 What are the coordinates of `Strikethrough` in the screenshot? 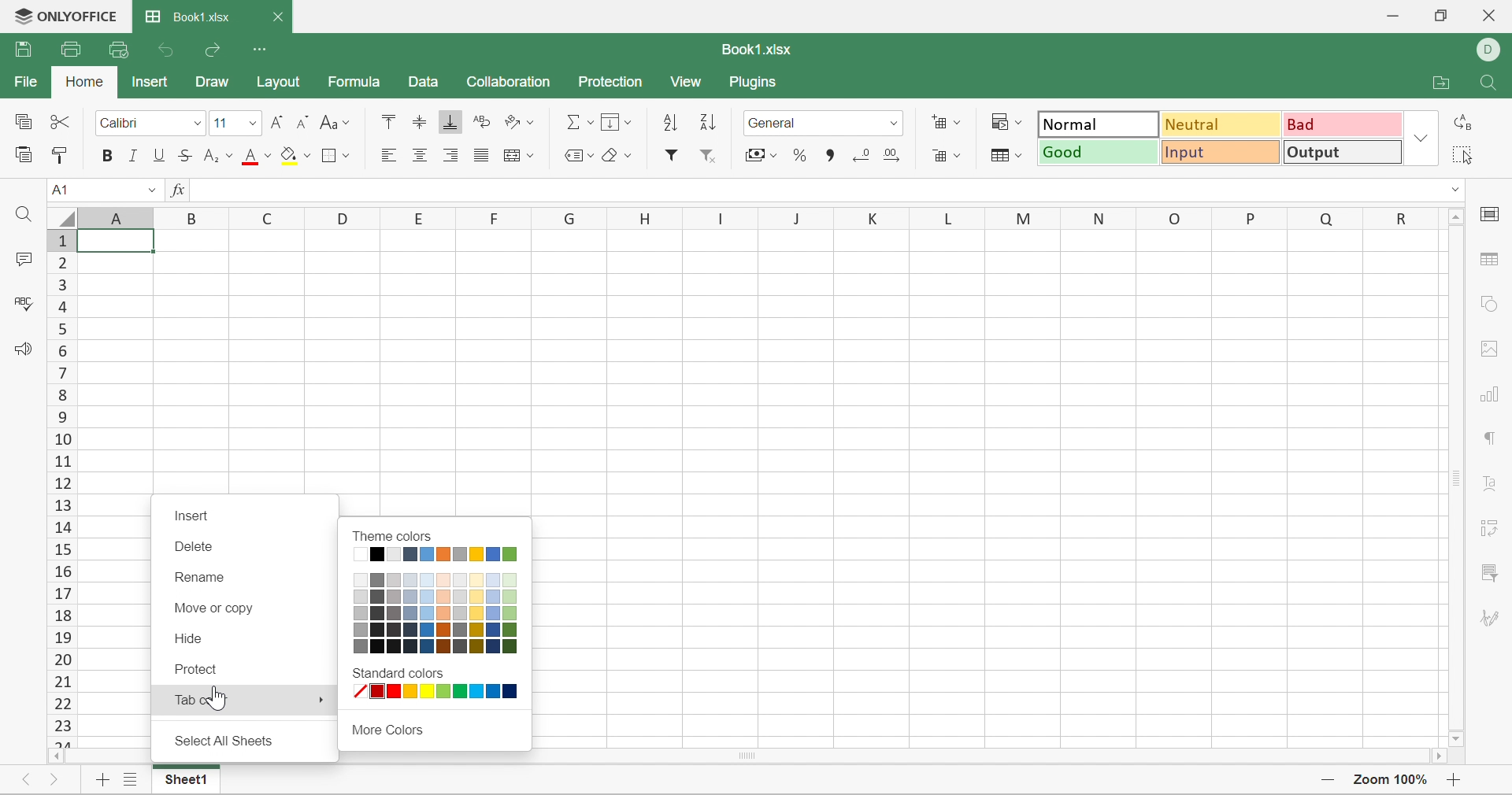 It's located at (185, 156).